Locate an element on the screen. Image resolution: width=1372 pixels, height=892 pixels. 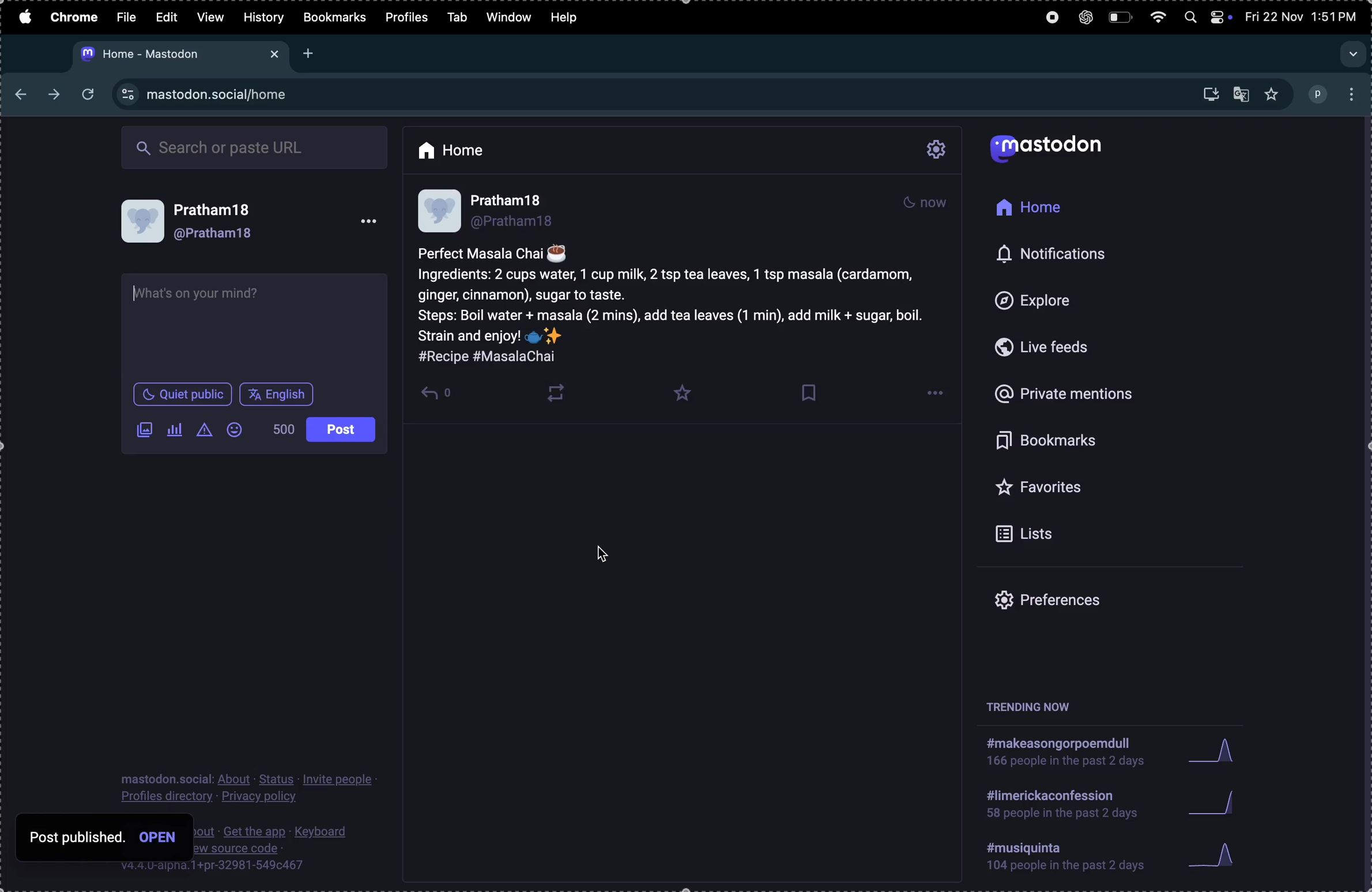
 is located at coordinates (159, 836).